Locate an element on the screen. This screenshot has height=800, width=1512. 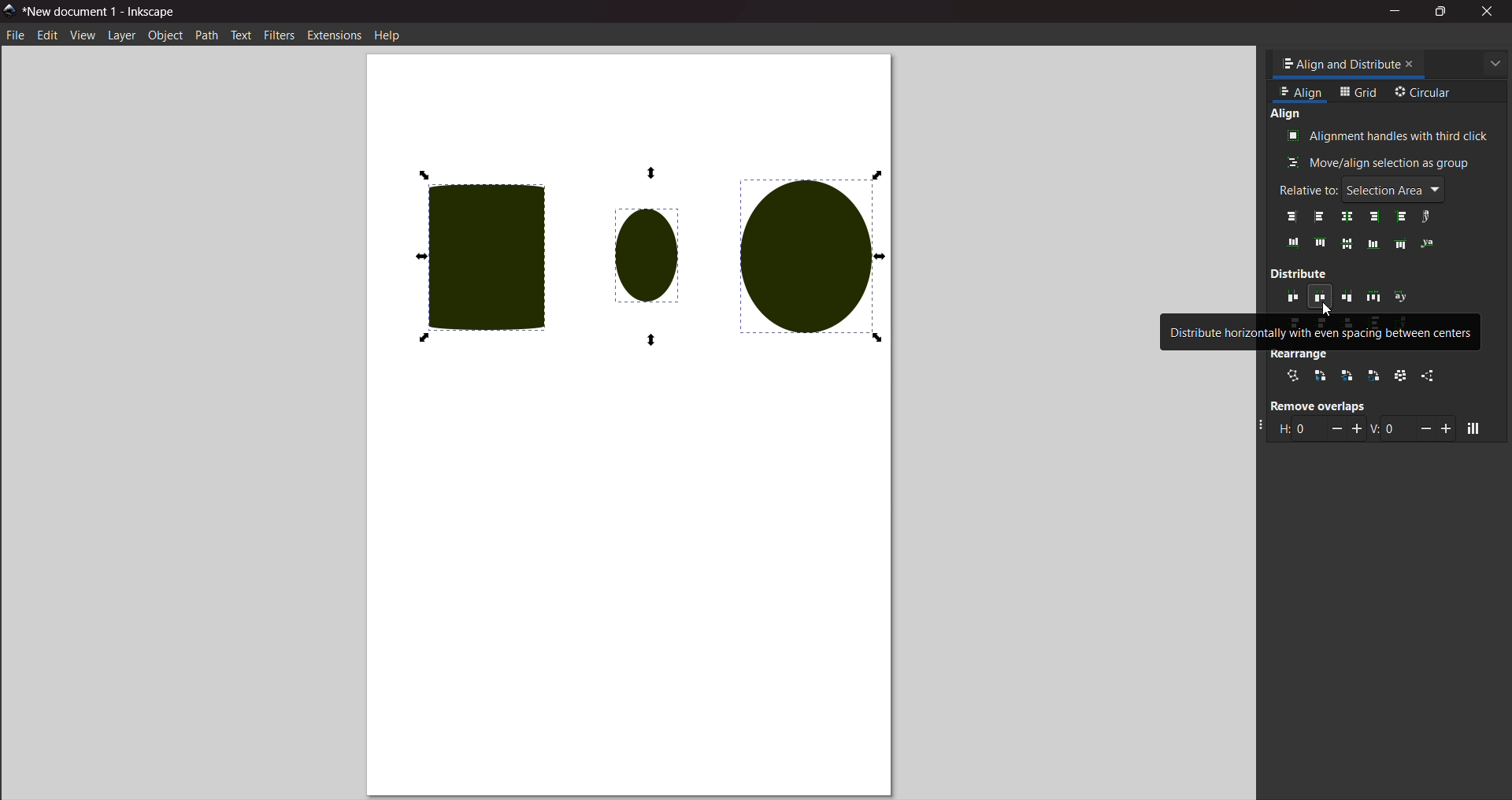
maximize is located at coordinates (1439, 13).